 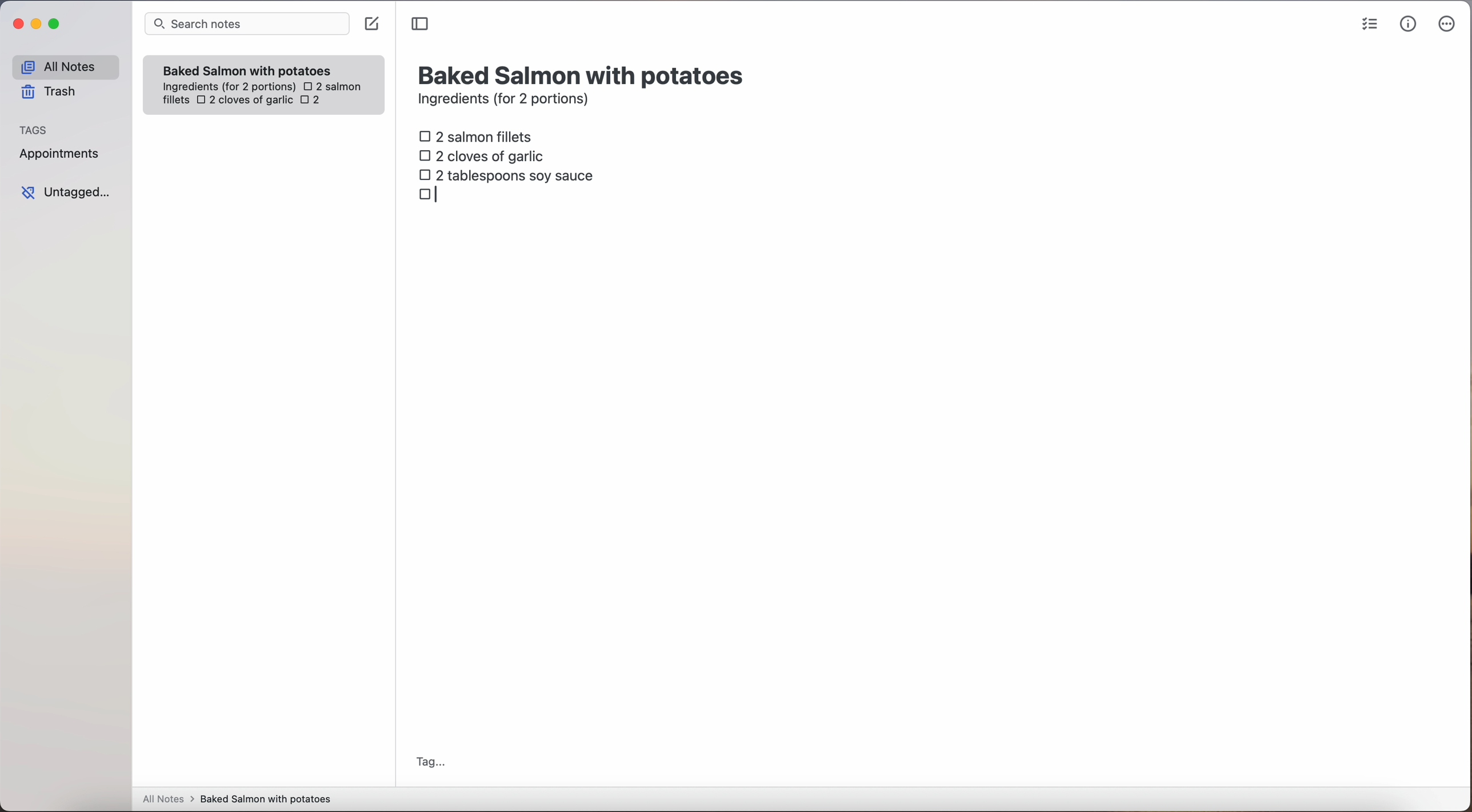 I want to click on all notes, so click(x=65, y=66).